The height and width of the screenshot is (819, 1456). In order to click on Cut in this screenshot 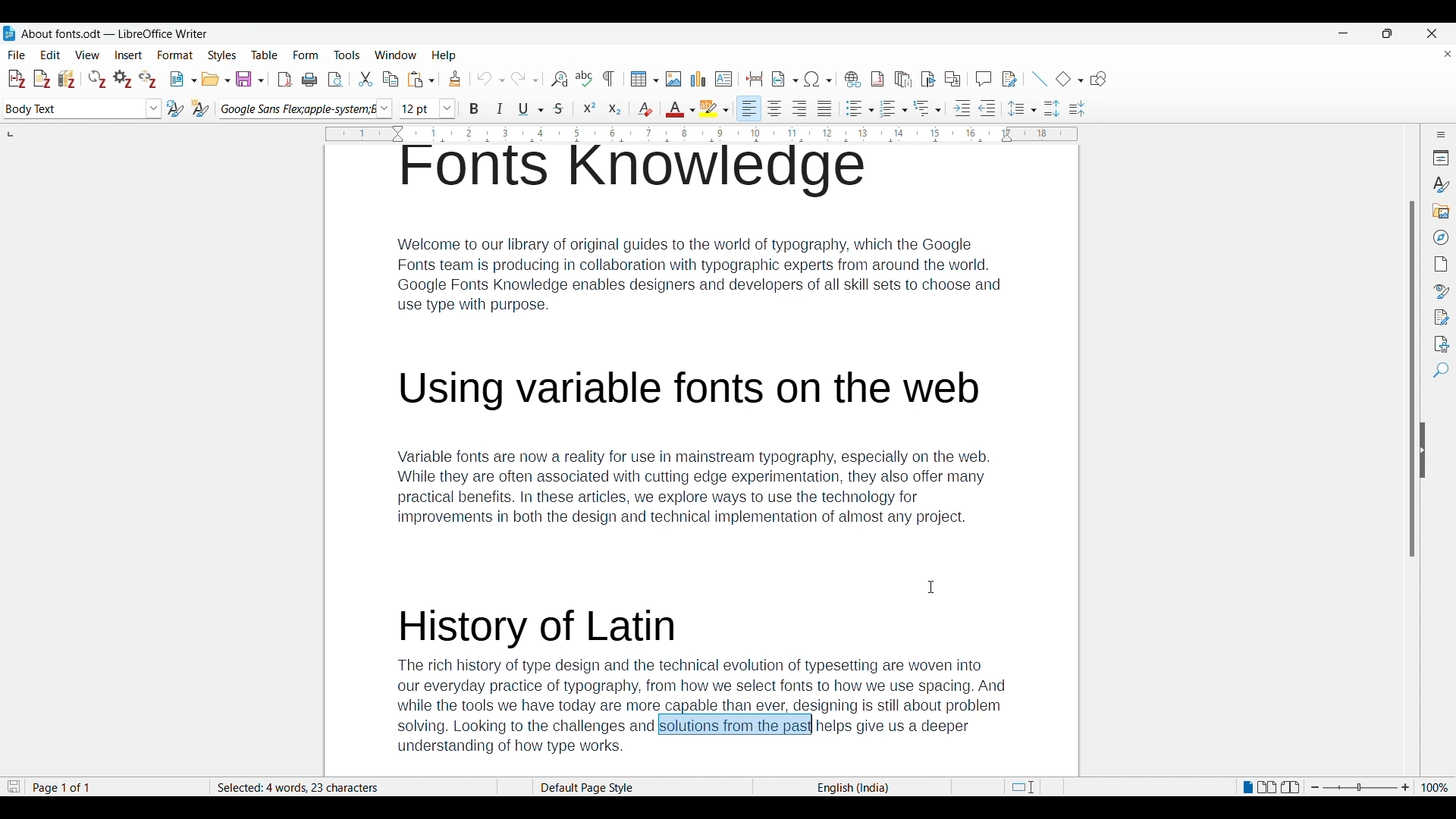, I will do `click(365, 79)`.